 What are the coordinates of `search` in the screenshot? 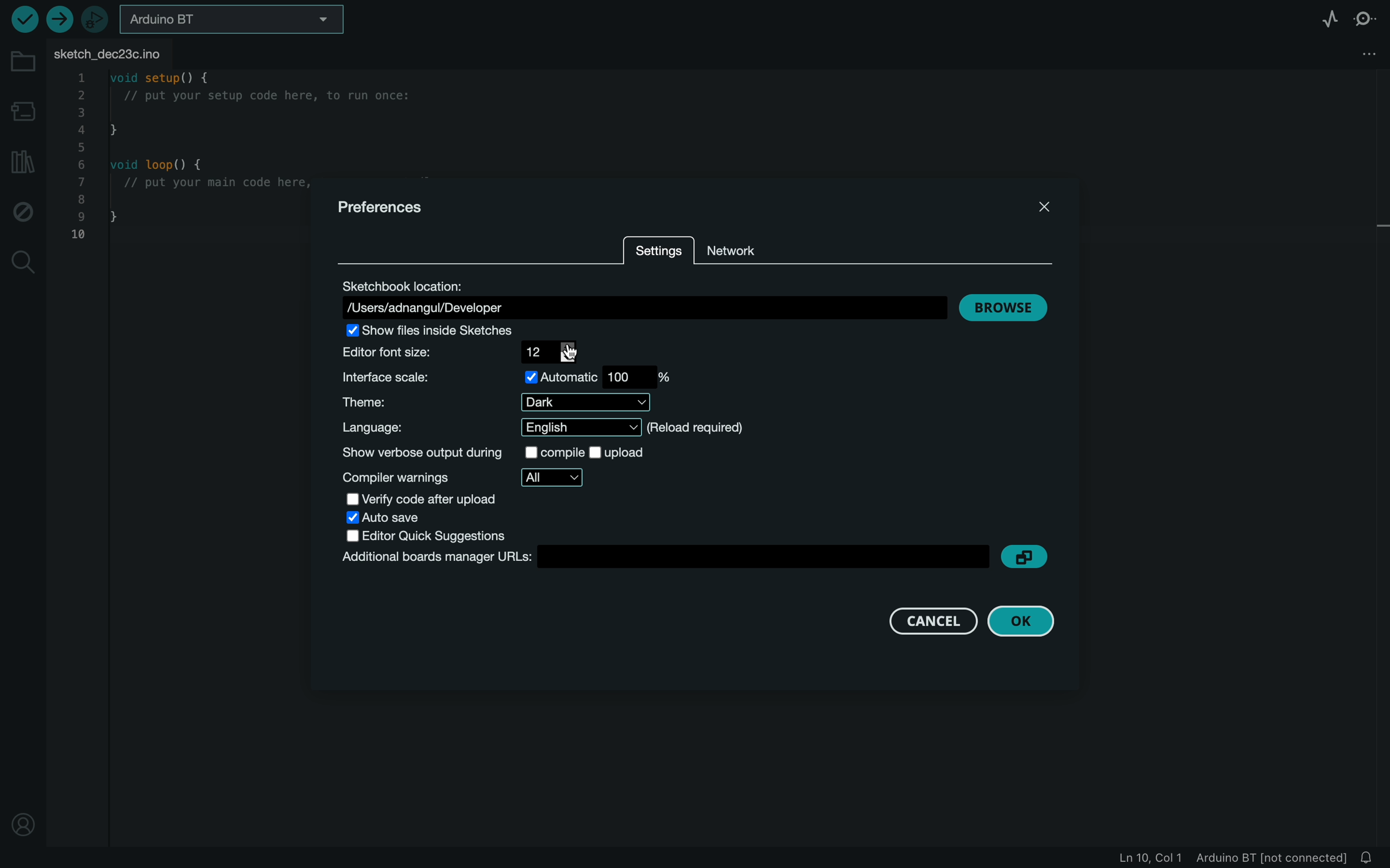 It's located at (21, 265).